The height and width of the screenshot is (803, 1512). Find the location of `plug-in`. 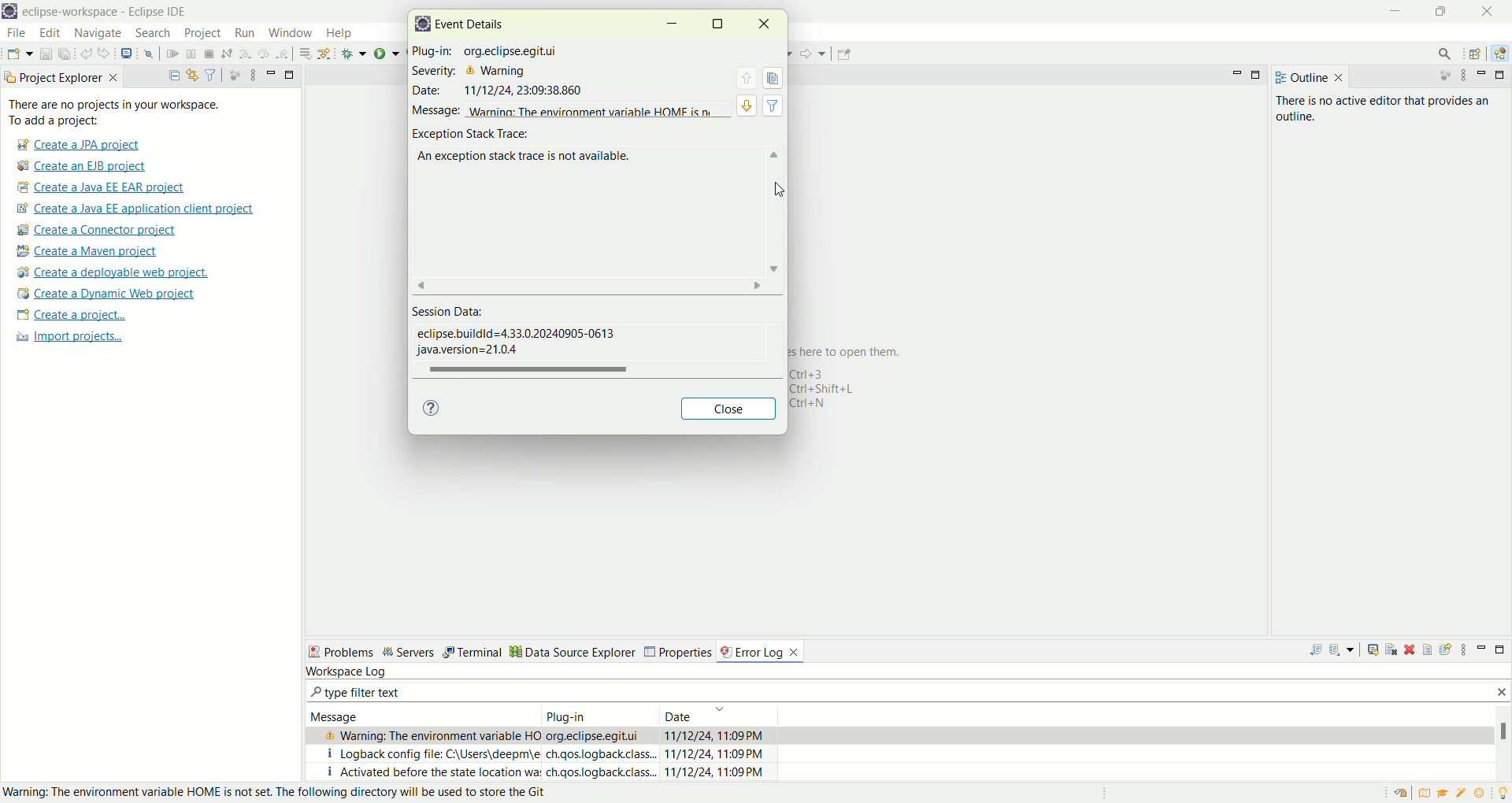

plug-in is located at coordinates (433, 52).